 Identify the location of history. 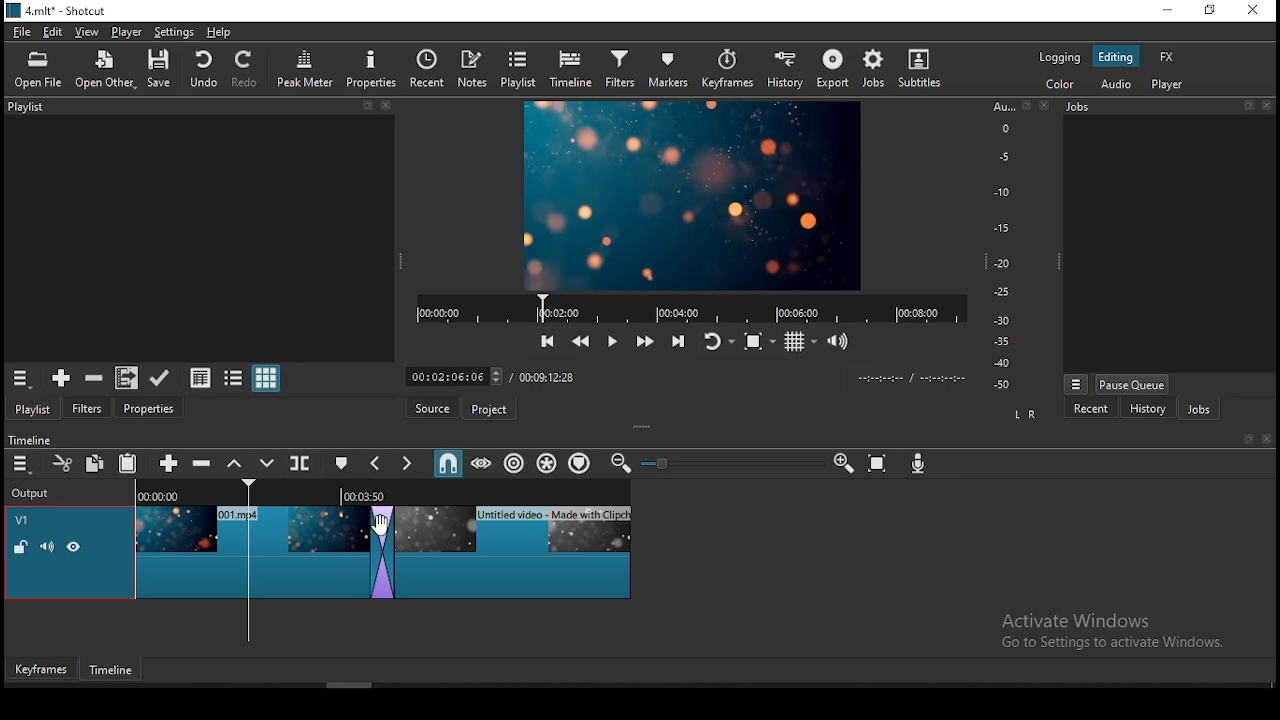
(1148, 408).